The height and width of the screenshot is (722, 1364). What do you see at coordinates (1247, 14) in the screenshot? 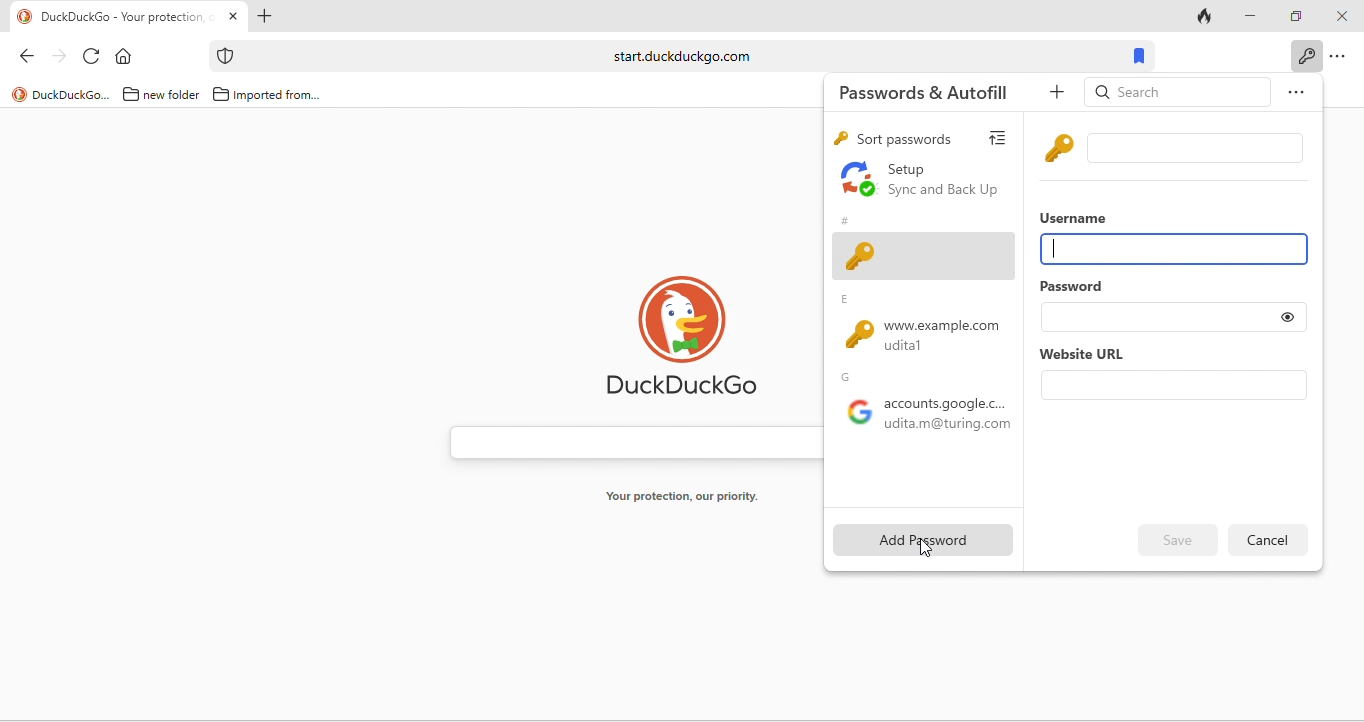
I see `minimize` at bounding box center [1247, 14].